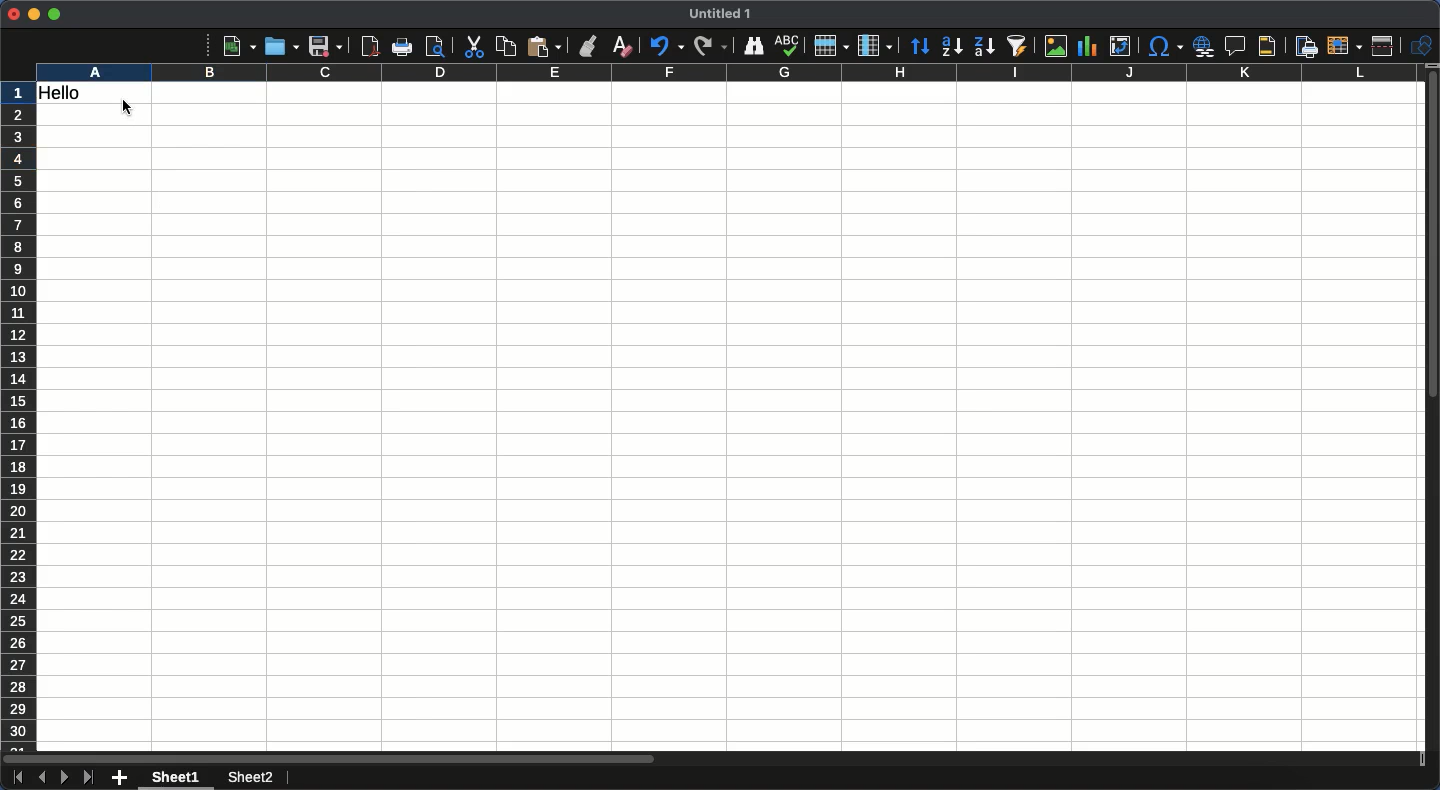  Describe the element at coordinates (1265, 47) in the screenshot. I see `Headers and footers` at that location.